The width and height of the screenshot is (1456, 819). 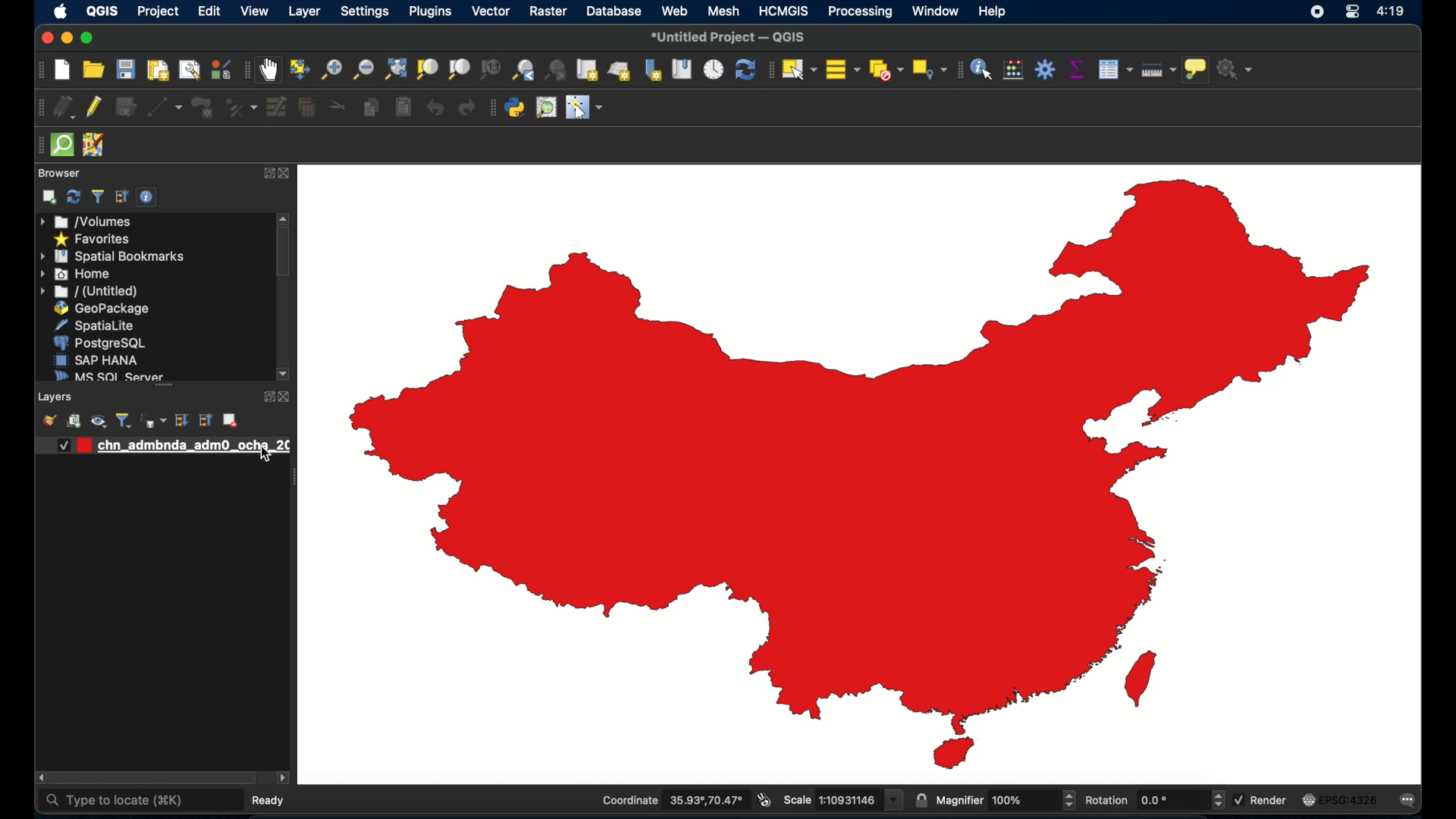 What do you see at coordinates (1238, 68) in the screenshot?
I see `no action selected` at bounding box center [1238, 68].